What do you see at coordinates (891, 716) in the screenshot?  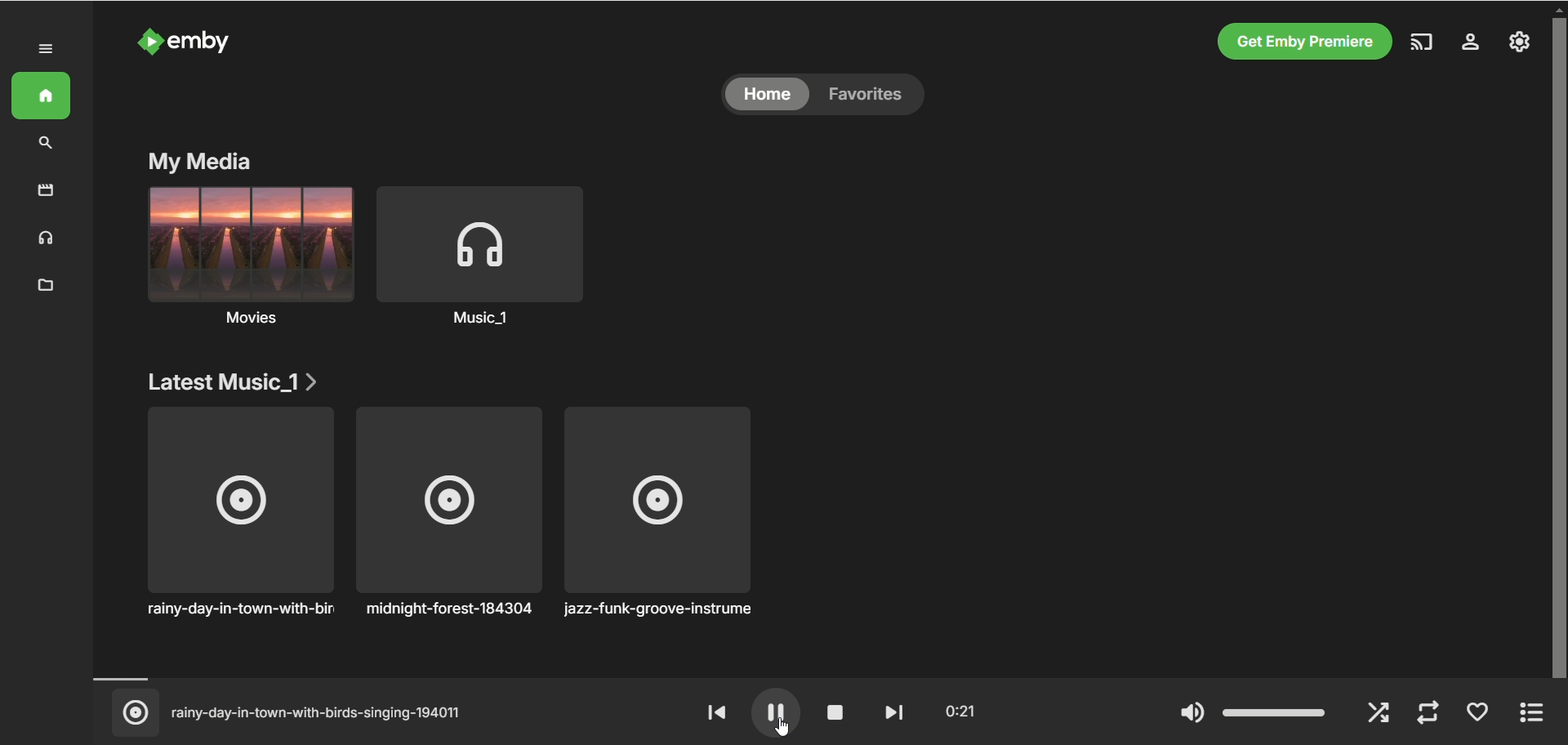 I see `fast forward` at bounding box center [891, 716].